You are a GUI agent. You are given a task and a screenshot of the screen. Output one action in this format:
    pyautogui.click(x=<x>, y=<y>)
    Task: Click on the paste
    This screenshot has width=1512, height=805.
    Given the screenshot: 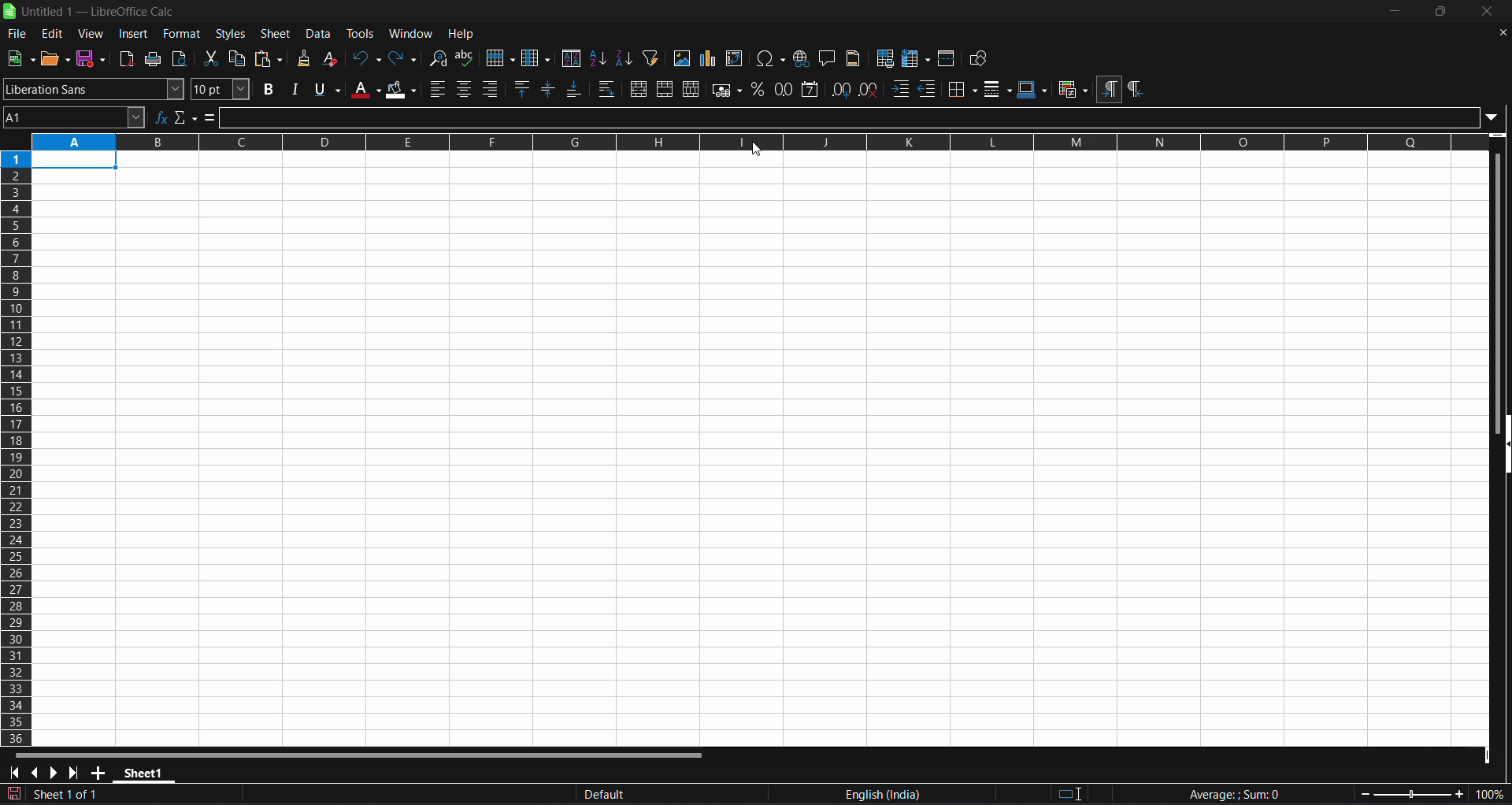 What is the action you would take?
    pyautogui.click(x=272, y=60)
    